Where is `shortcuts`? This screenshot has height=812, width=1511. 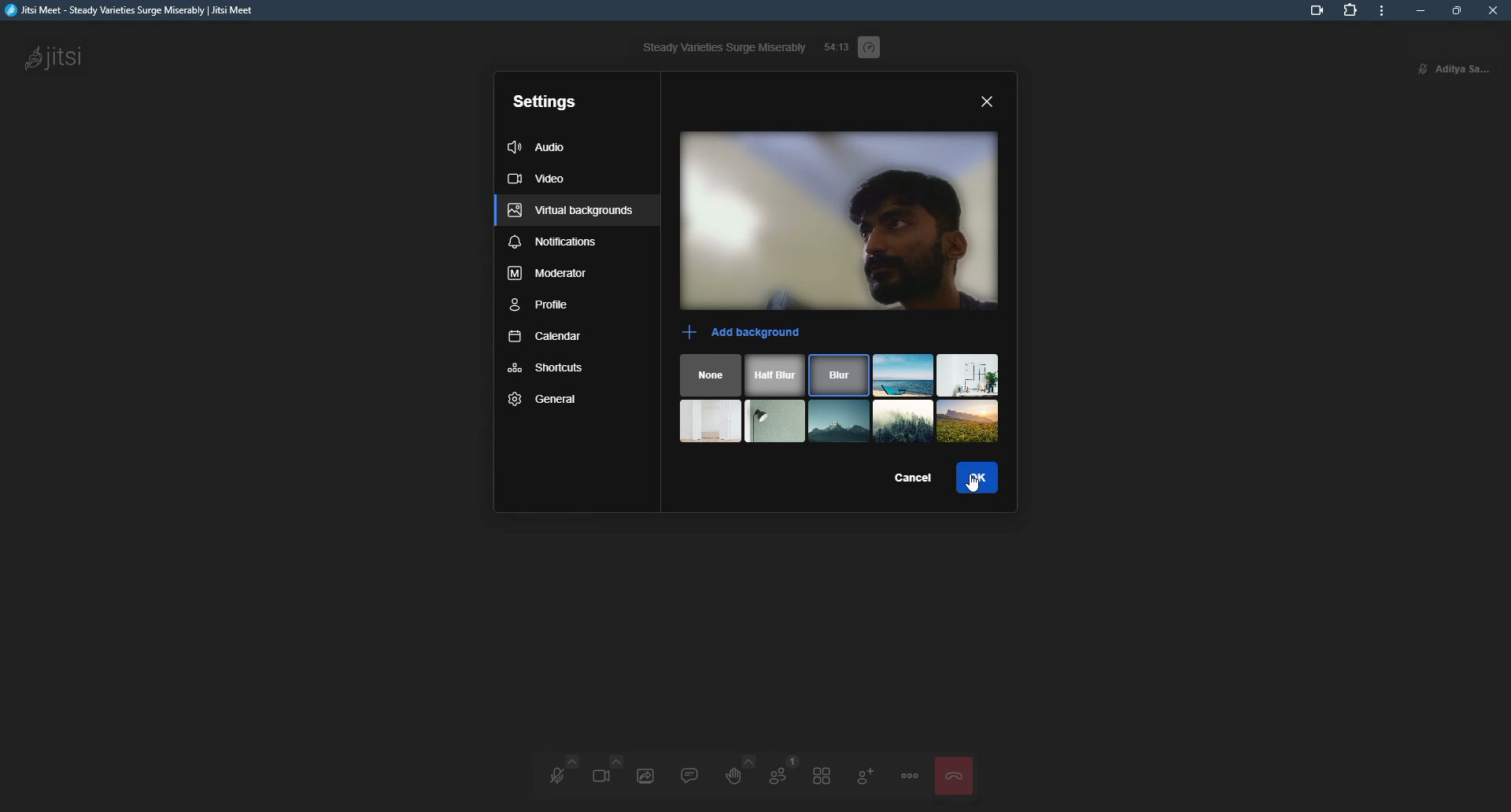
shortcuts is located at coordinates (548, 369).